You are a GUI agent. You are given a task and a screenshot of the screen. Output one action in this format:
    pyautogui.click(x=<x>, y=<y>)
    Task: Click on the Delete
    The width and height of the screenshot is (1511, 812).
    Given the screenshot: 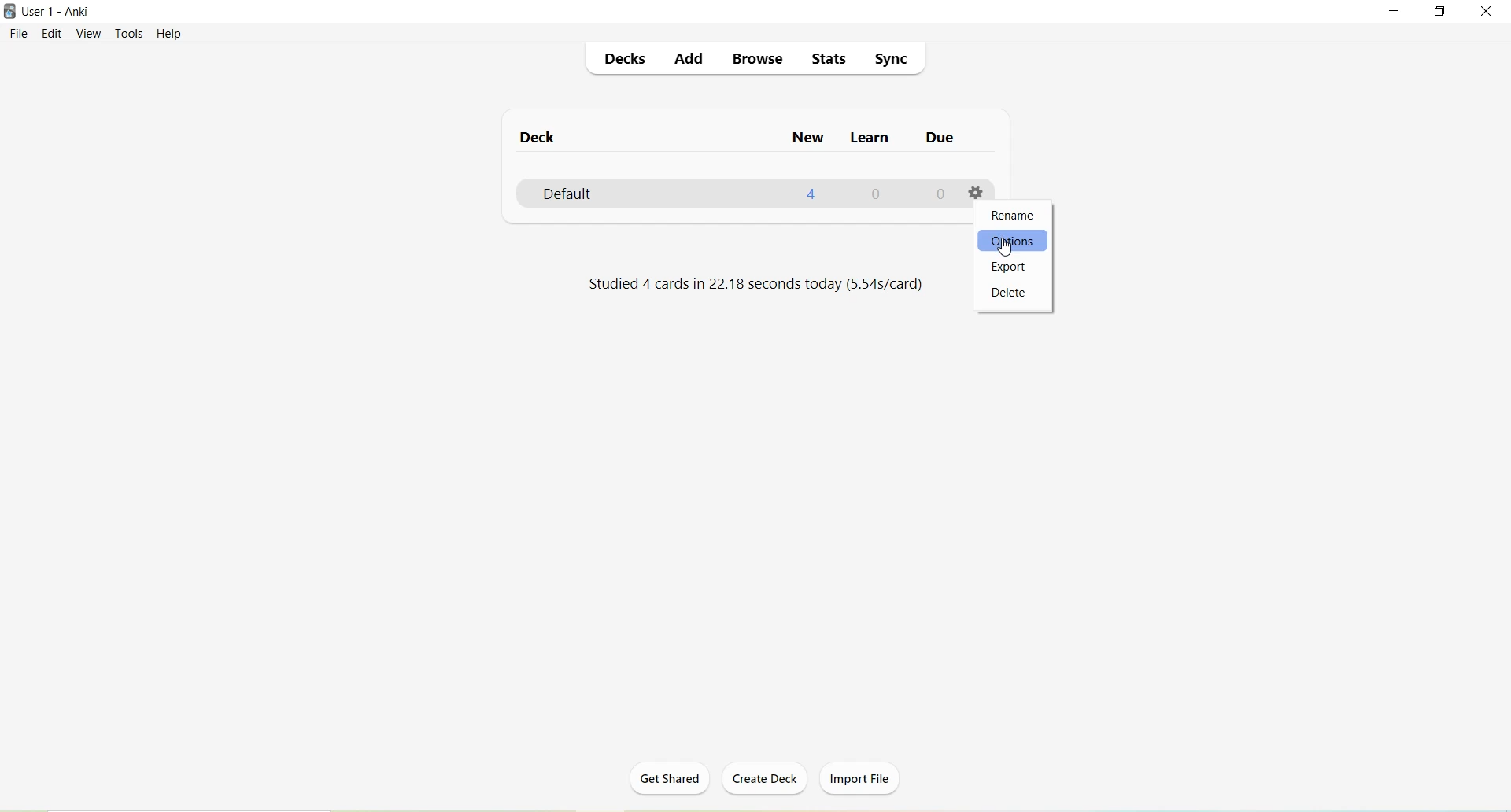 What is the action you would take?
    pyautogui.click(x=1017, y=293)
    